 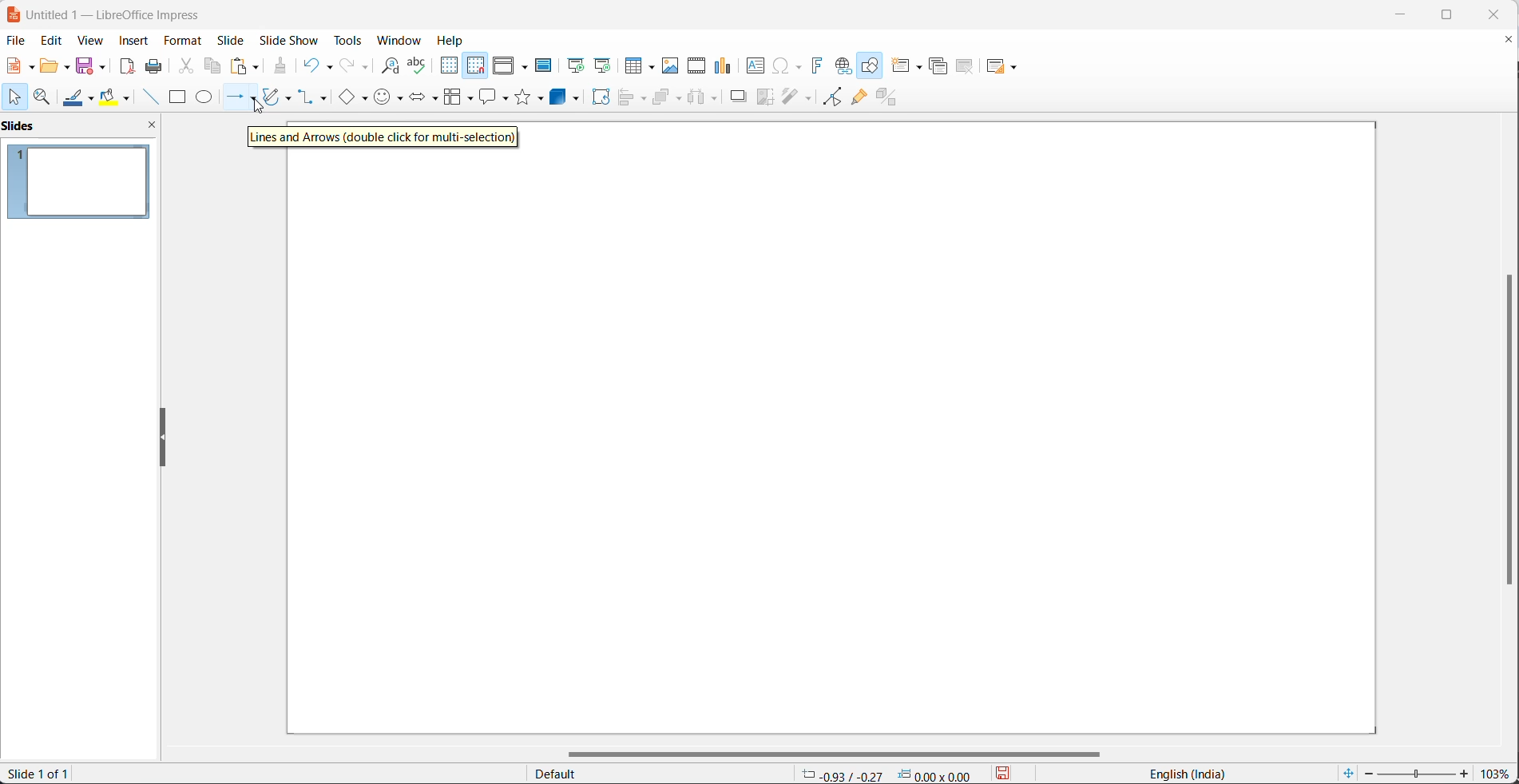 I want to click on toggle end point edit mode, so click(x=828, y=97).